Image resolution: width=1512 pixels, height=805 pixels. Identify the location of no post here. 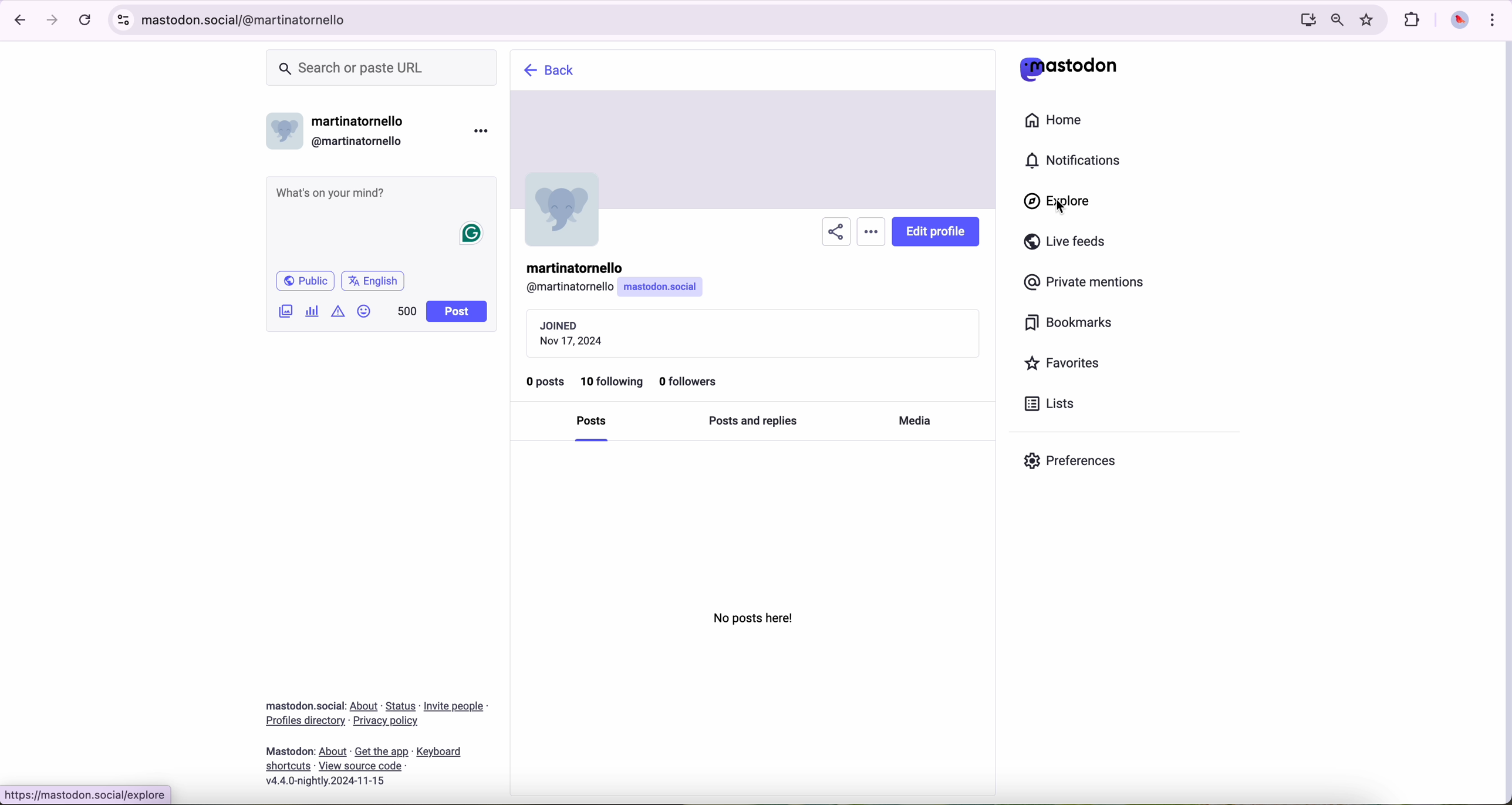
(750, 619).